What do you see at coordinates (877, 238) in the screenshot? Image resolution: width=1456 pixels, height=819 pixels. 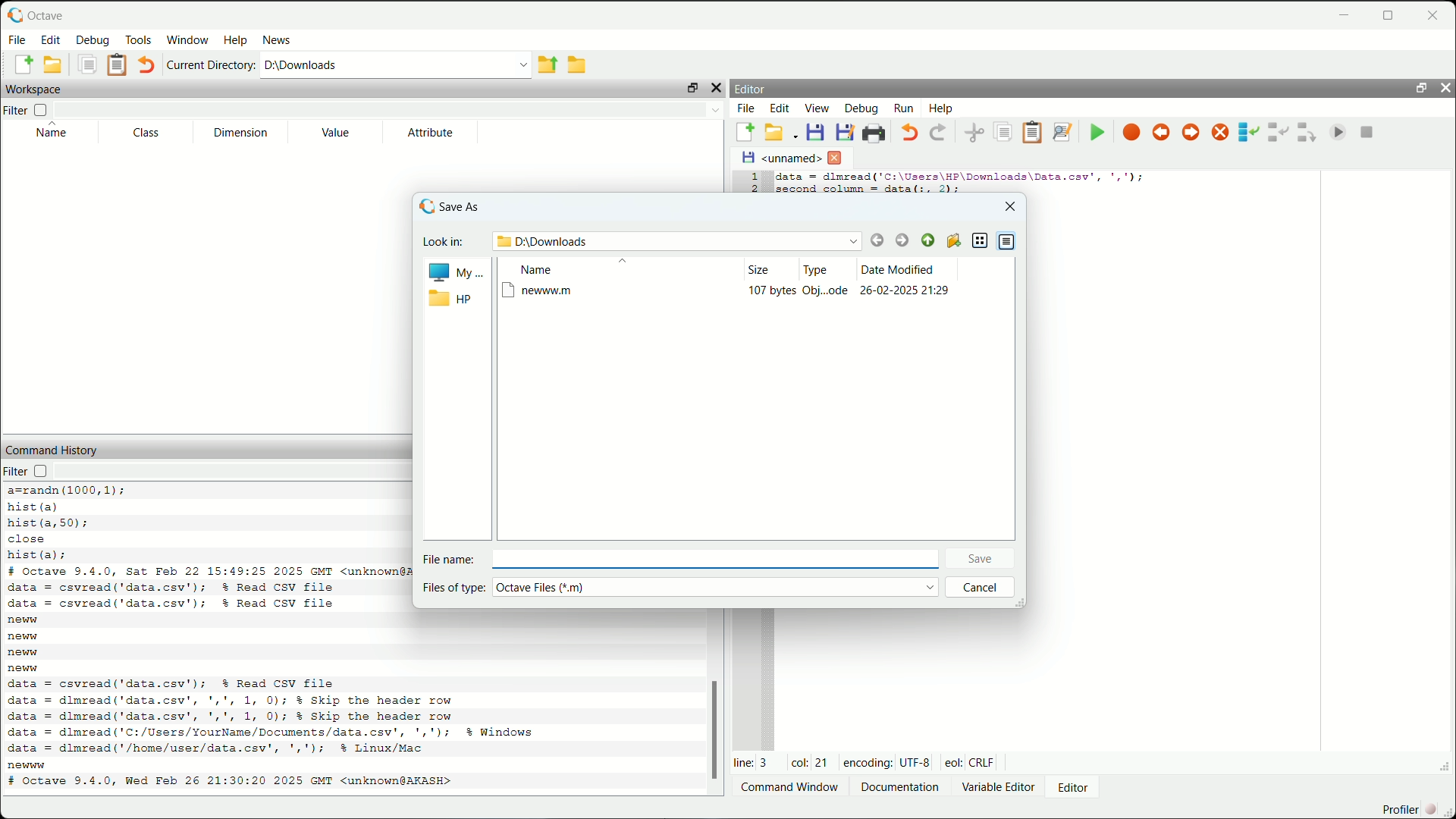 I see `back` at bounding box center [877, 238].